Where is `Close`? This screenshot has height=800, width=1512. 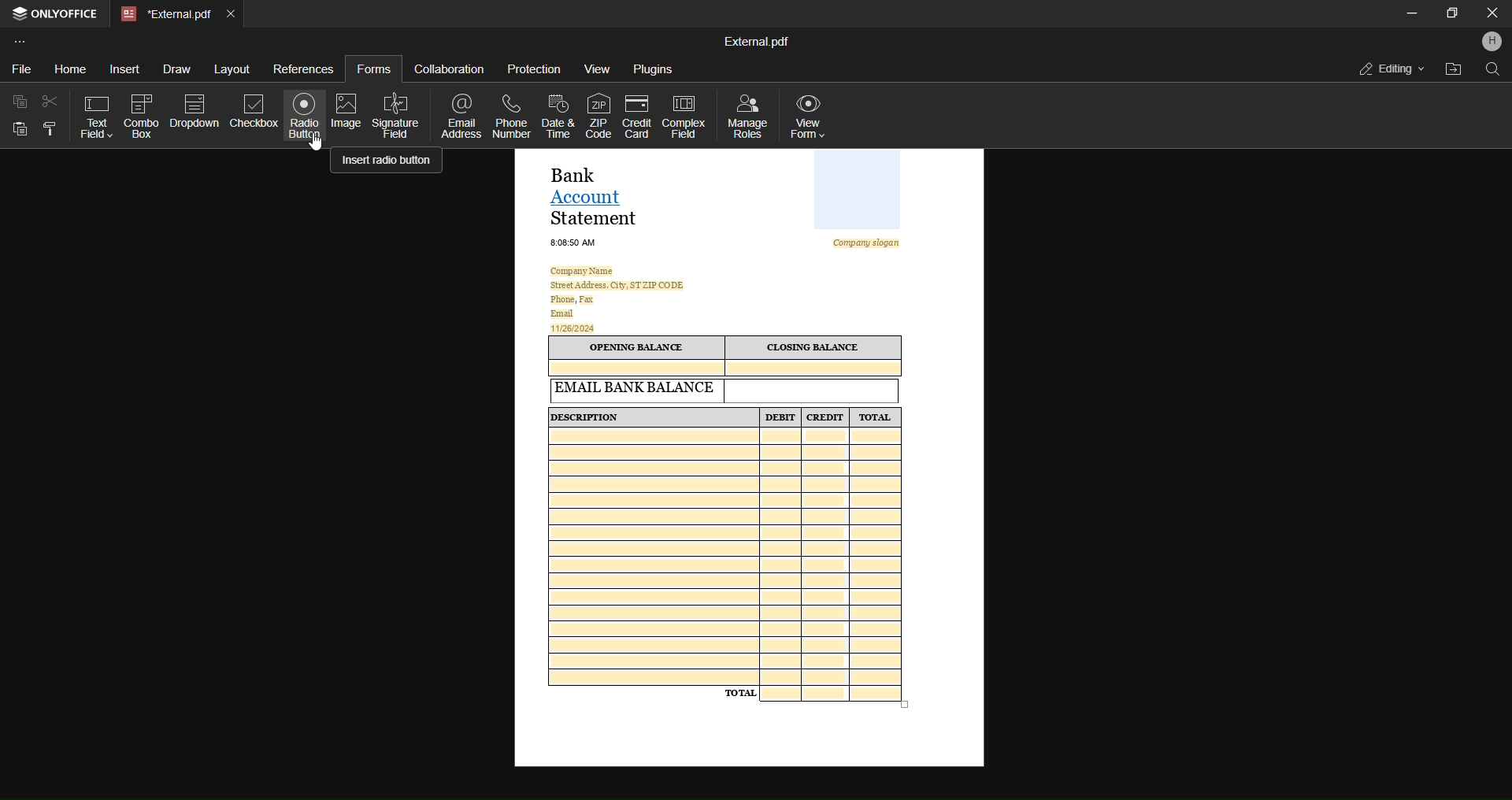 Close is located at coordinates (1491, 14).